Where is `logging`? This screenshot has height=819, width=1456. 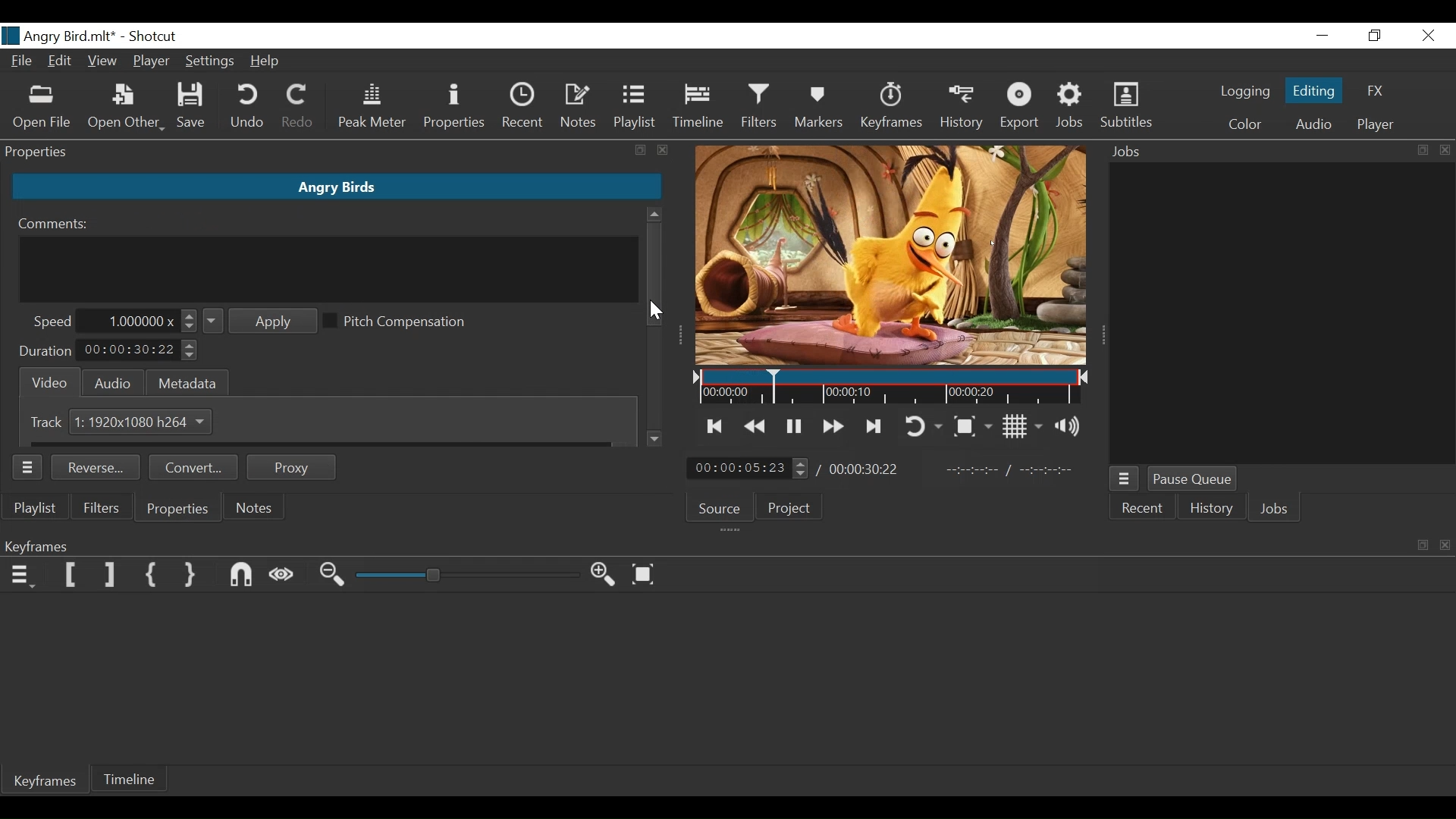
logging is located at coordinates (1241, 93).